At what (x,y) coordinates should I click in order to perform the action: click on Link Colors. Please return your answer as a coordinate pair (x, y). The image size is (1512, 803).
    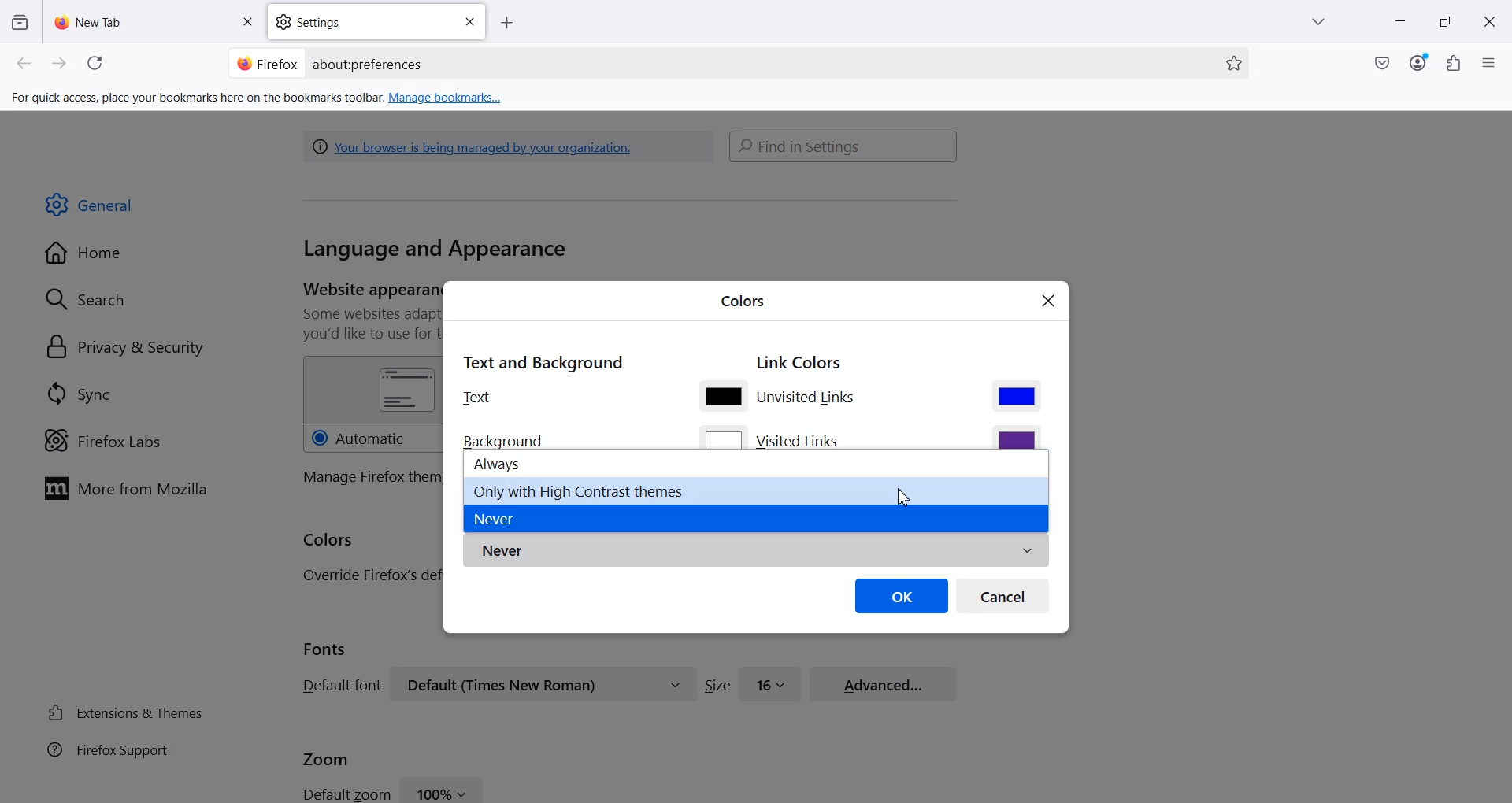
    Looking at the image, I should click on (799, 364).